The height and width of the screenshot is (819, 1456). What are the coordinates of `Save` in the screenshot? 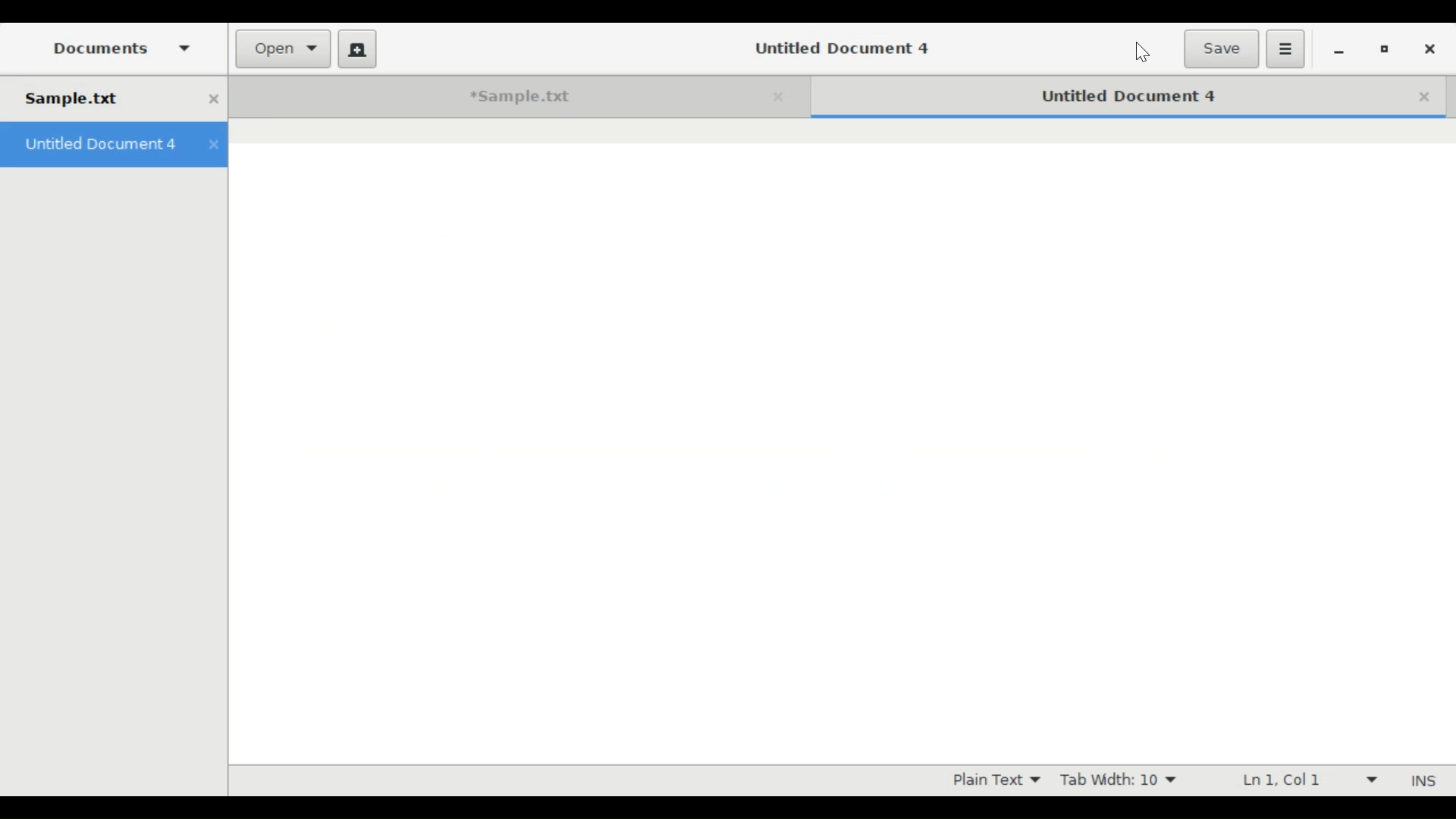 It's located at (1223, 48).